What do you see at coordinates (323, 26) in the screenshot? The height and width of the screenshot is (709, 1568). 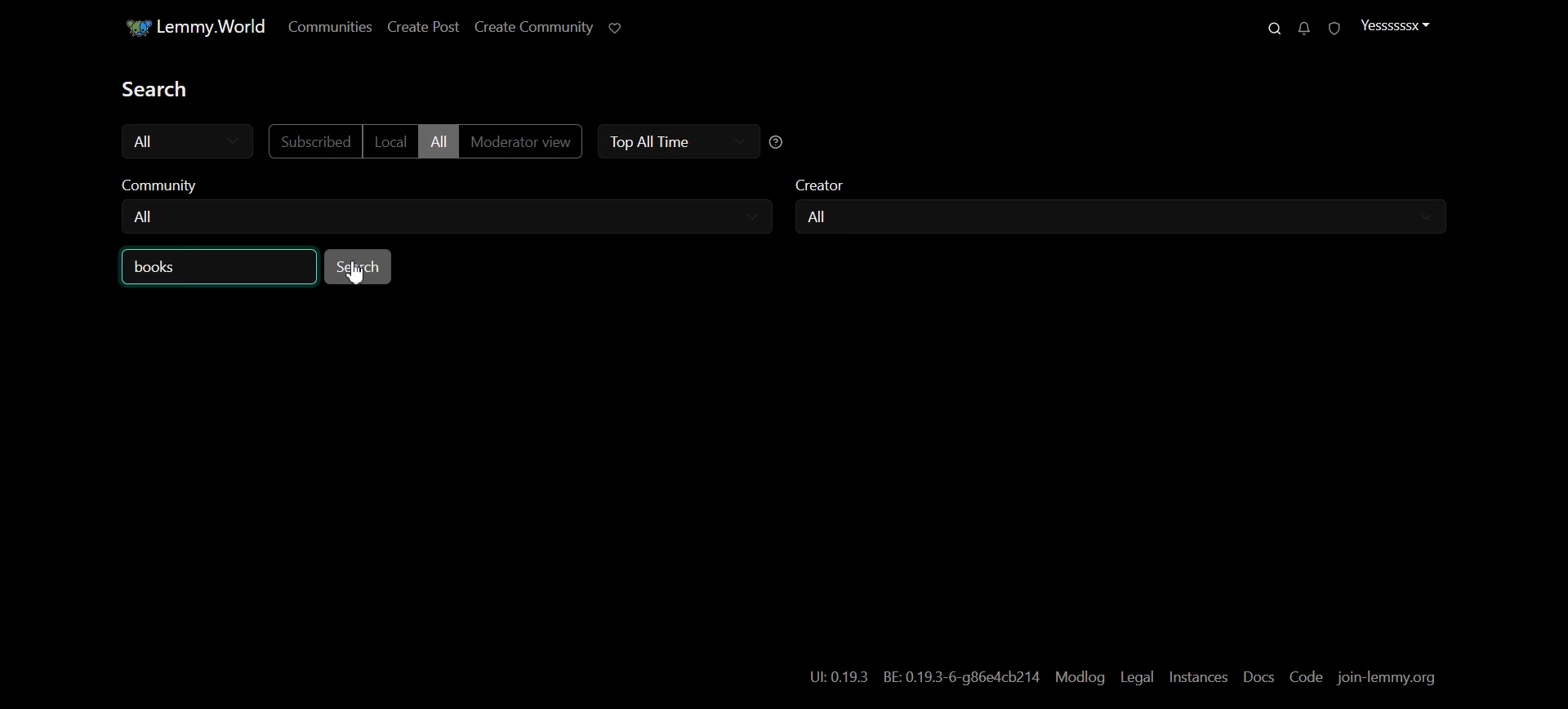 I see `Communities` at bounding box center [323, 26].